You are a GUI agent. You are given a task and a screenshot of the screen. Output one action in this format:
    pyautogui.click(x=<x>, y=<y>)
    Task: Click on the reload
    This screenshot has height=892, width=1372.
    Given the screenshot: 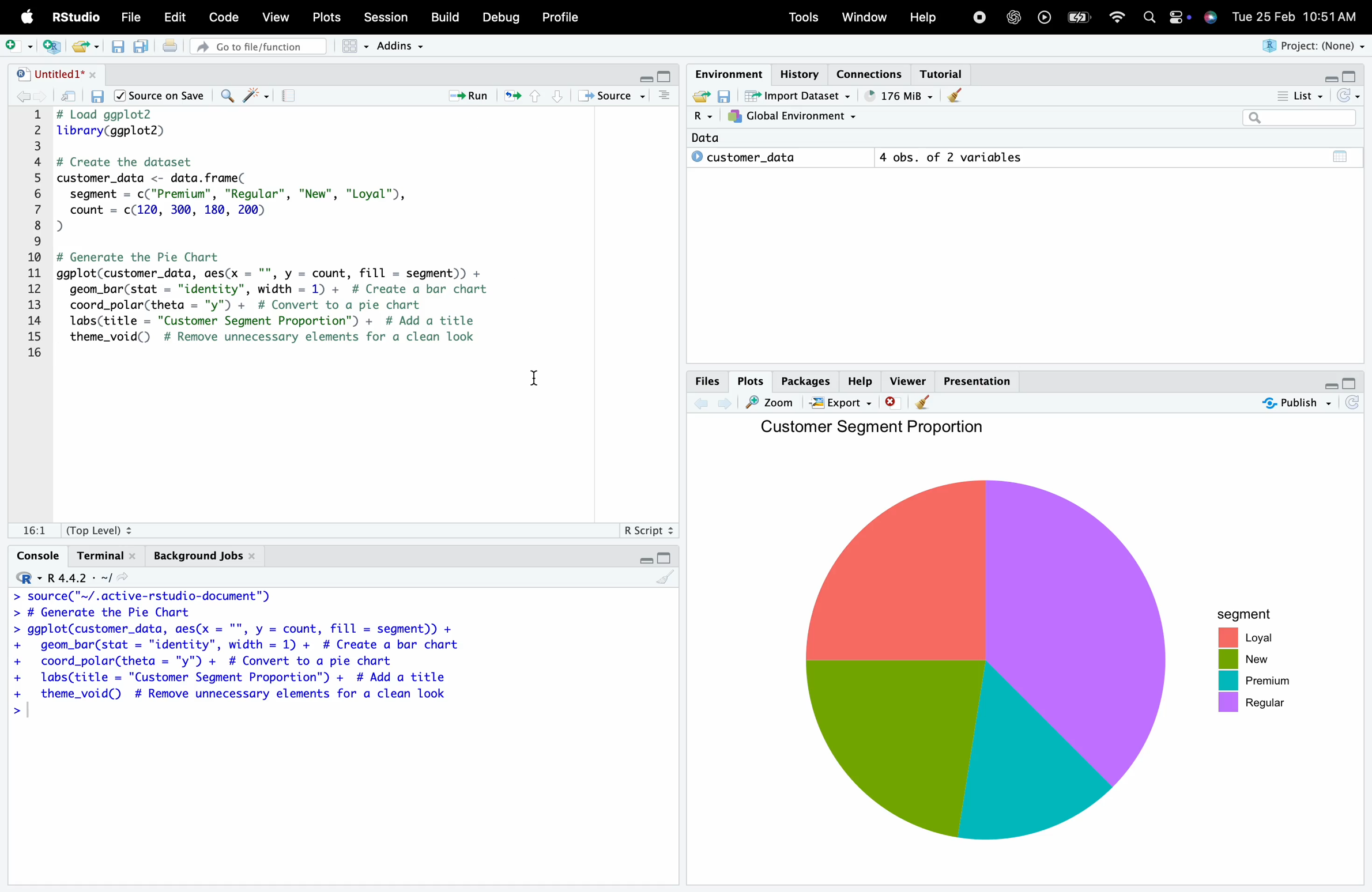 What is the action you would take?
    pyautogui.click(x=1351, y=404)
    